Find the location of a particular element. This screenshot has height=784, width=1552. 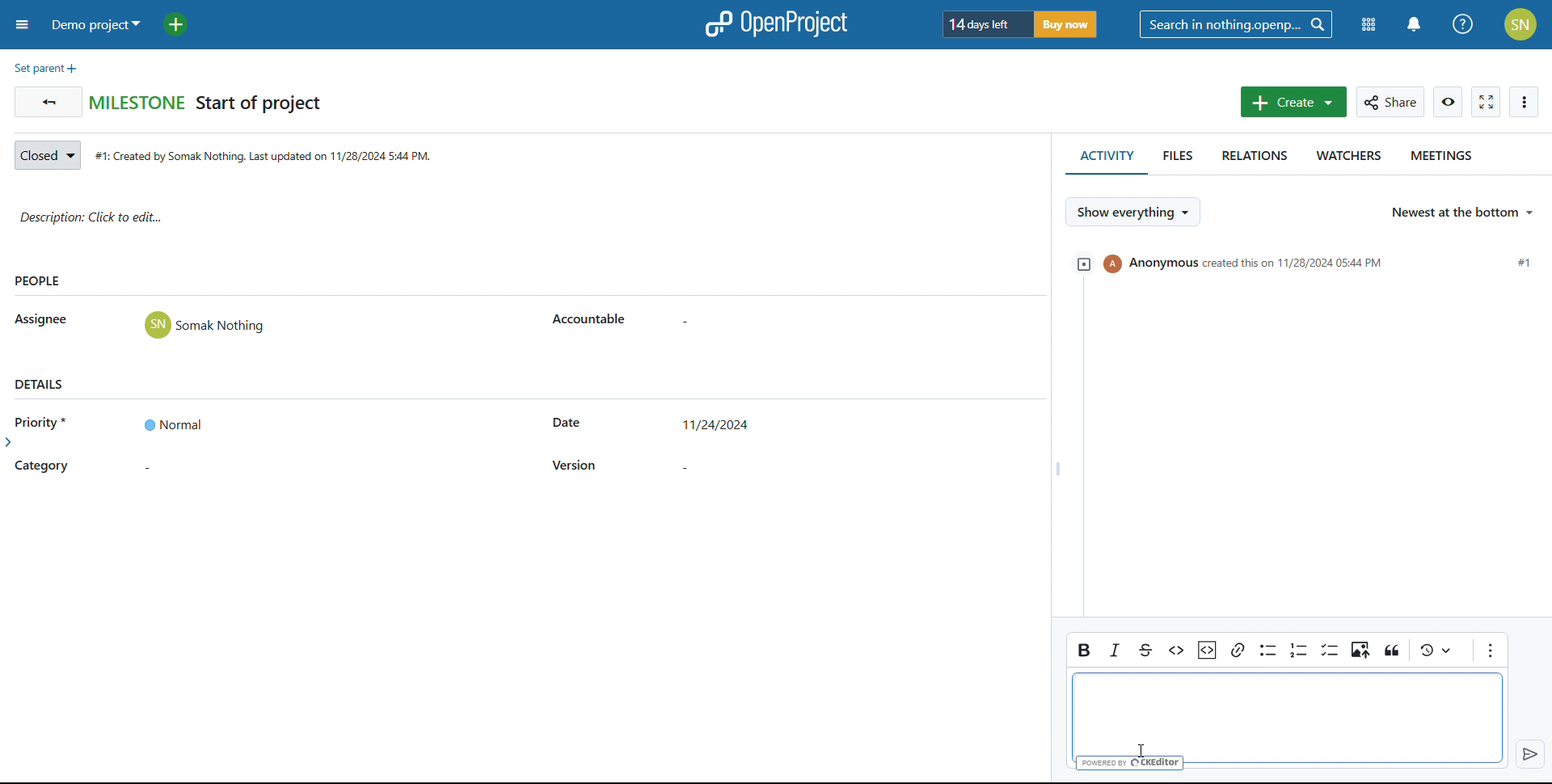

files is located at coordinates (1175, 161).